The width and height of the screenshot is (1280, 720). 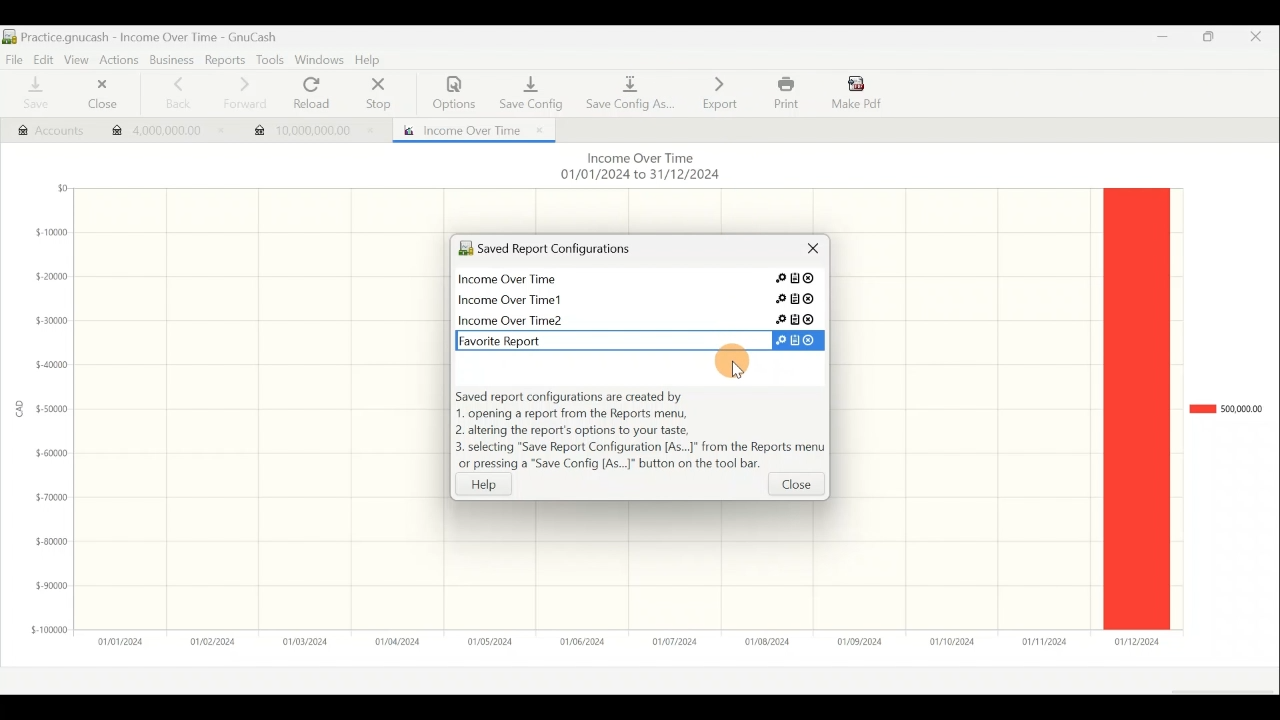 What do you see at coordinates (640, 432) in the screenshot?
I see `Ways saved report configurations are created` at bounding box center [640, 432].